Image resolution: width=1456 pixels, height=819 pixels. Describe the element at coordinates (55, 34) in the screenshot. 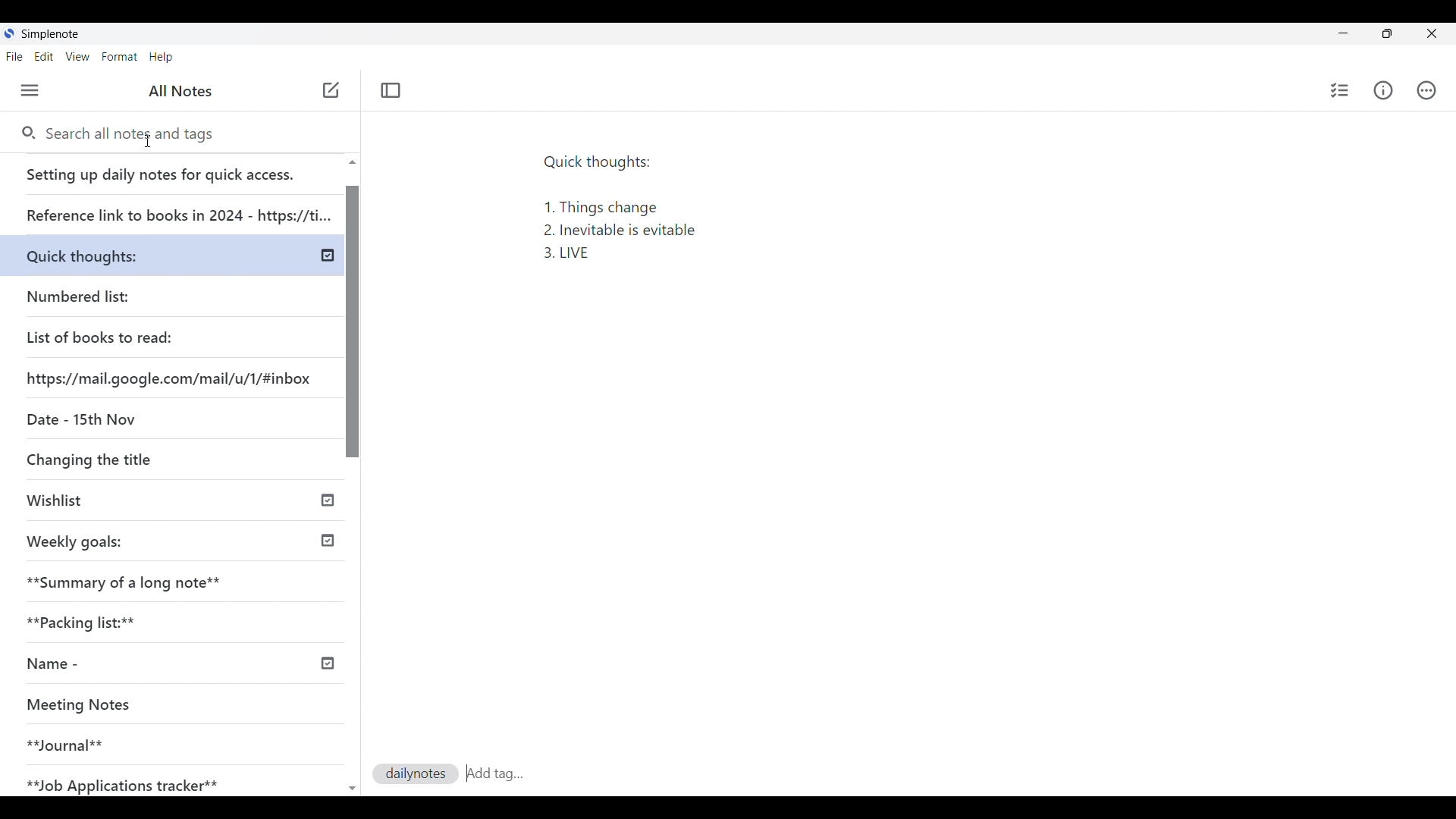

I see `Software note` at that location.